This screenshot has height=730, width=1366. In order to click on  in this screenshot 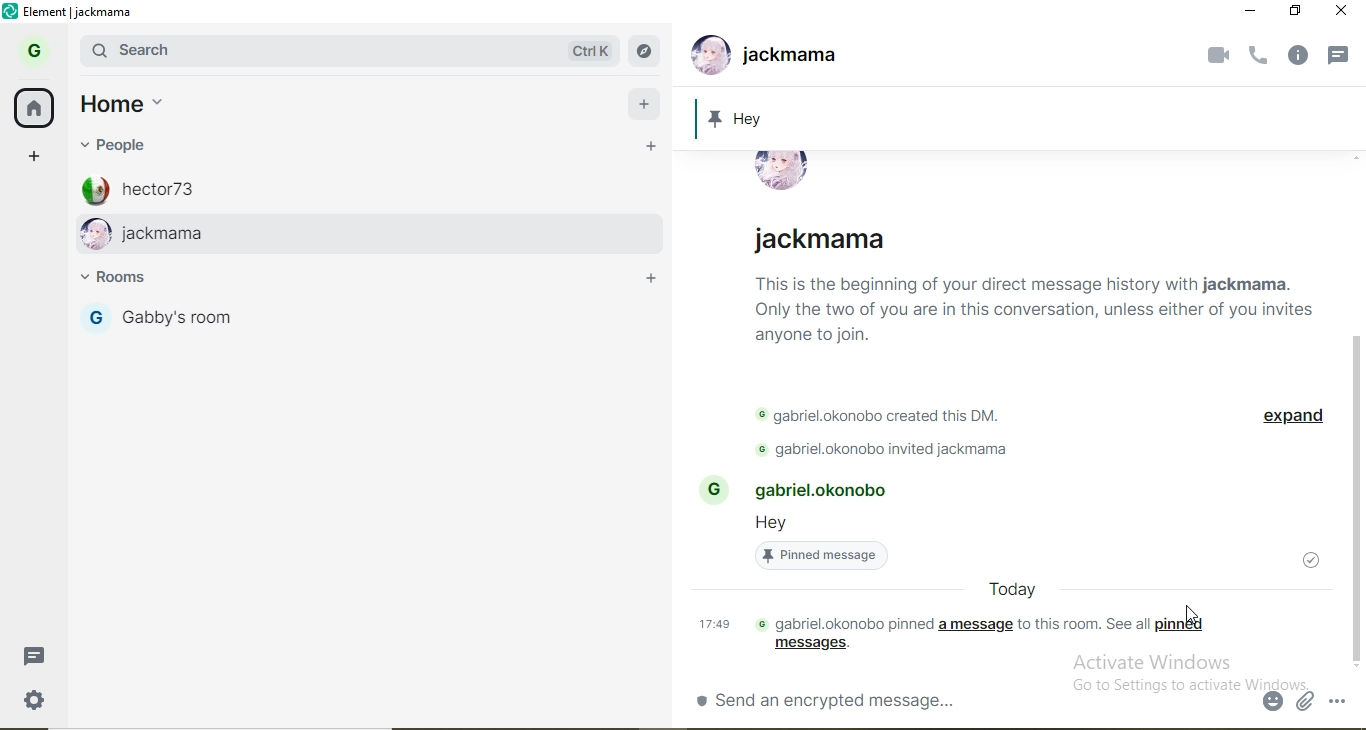, I will do `click(1272, 701)`.